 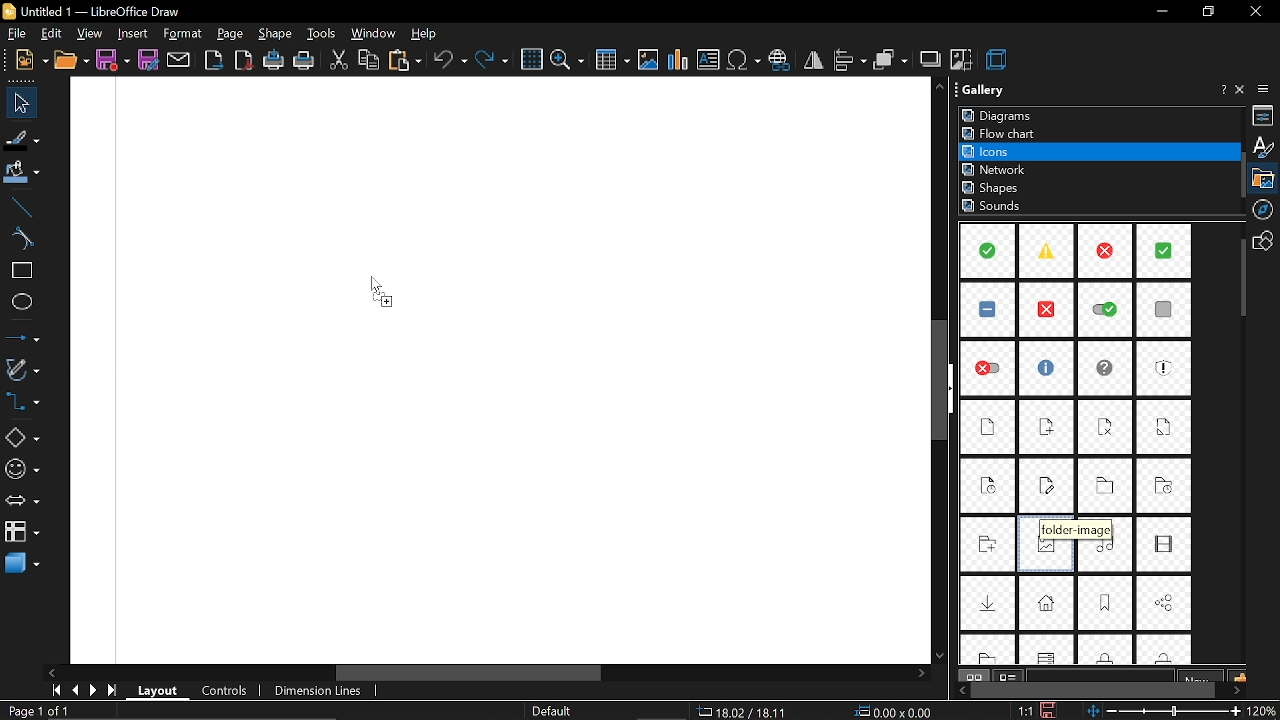 What do you see at coordinates (53, 690) in the screenshot?
I see `go to first page` at bounding box center [53, 690].